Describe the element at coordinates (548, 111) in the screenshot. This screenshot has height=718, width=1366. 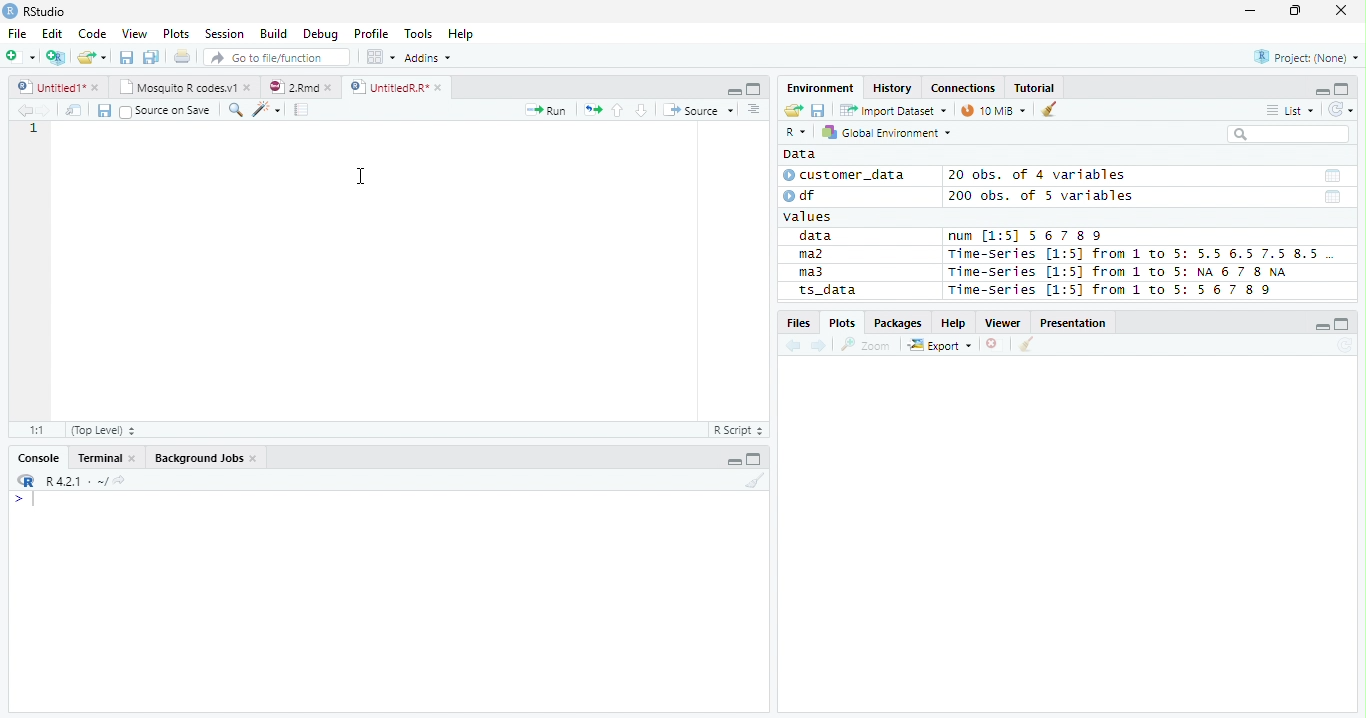
I see `Run` at that location.